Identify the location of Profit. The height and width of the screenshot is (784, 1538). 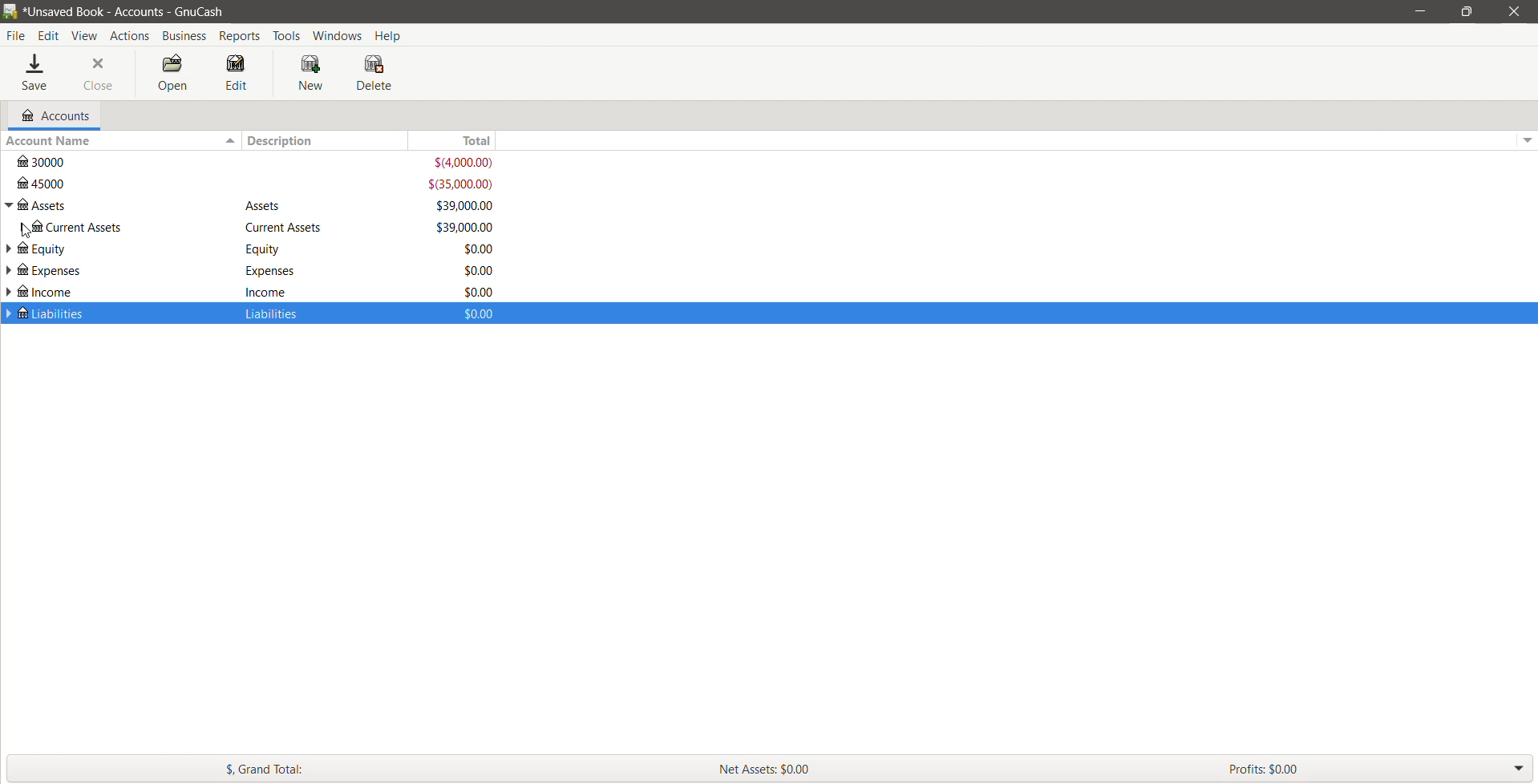
(1364, 770).